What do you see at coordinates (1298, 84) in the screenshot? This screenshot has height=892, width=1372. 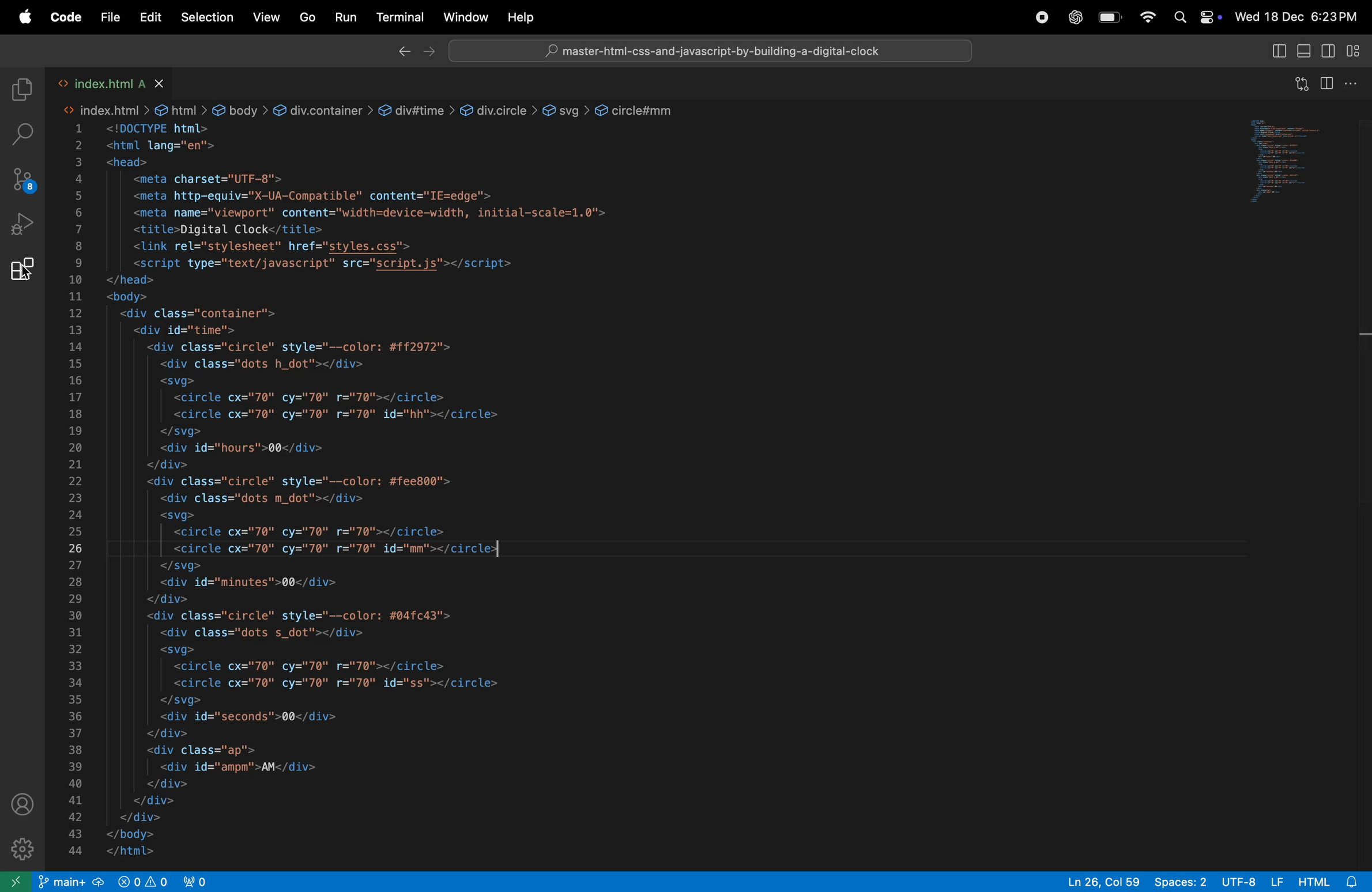 I see `open changes` at bounding box center [1298, 84].